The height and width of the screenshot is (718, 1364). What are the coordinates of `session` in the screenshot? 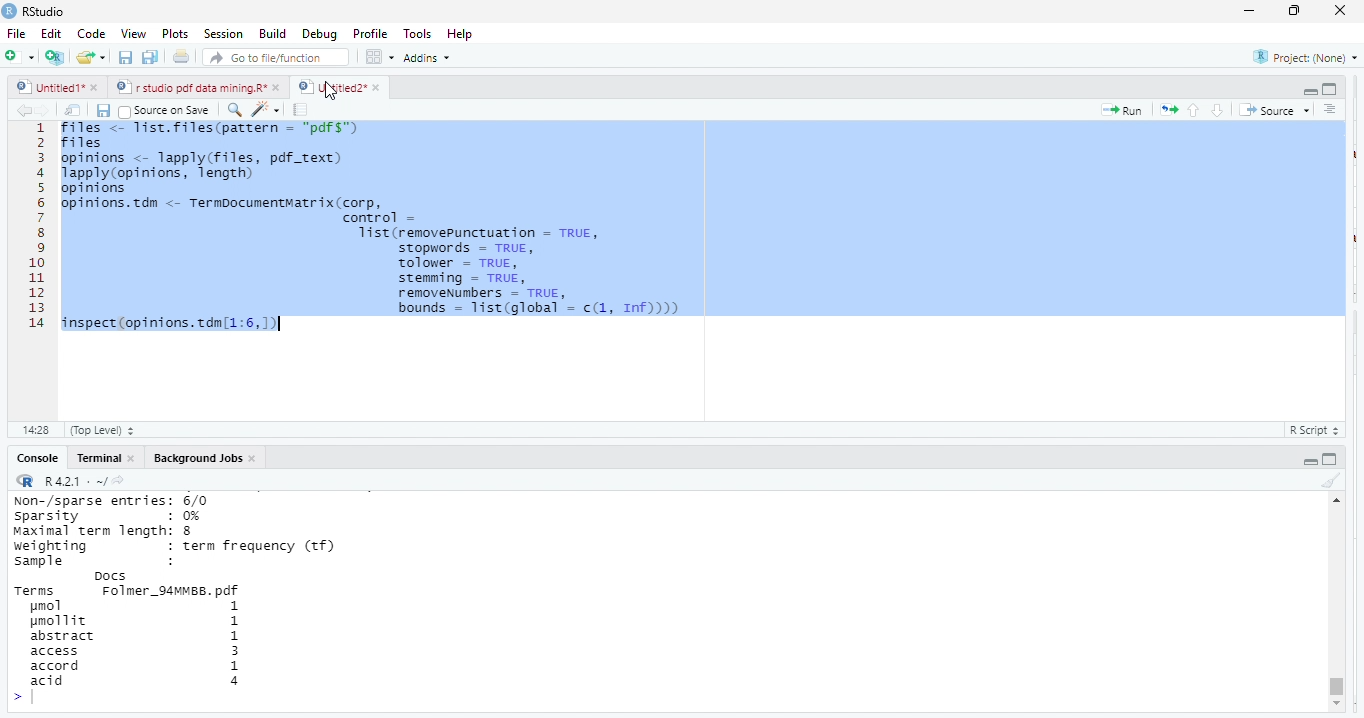 It's located at (222, 34).